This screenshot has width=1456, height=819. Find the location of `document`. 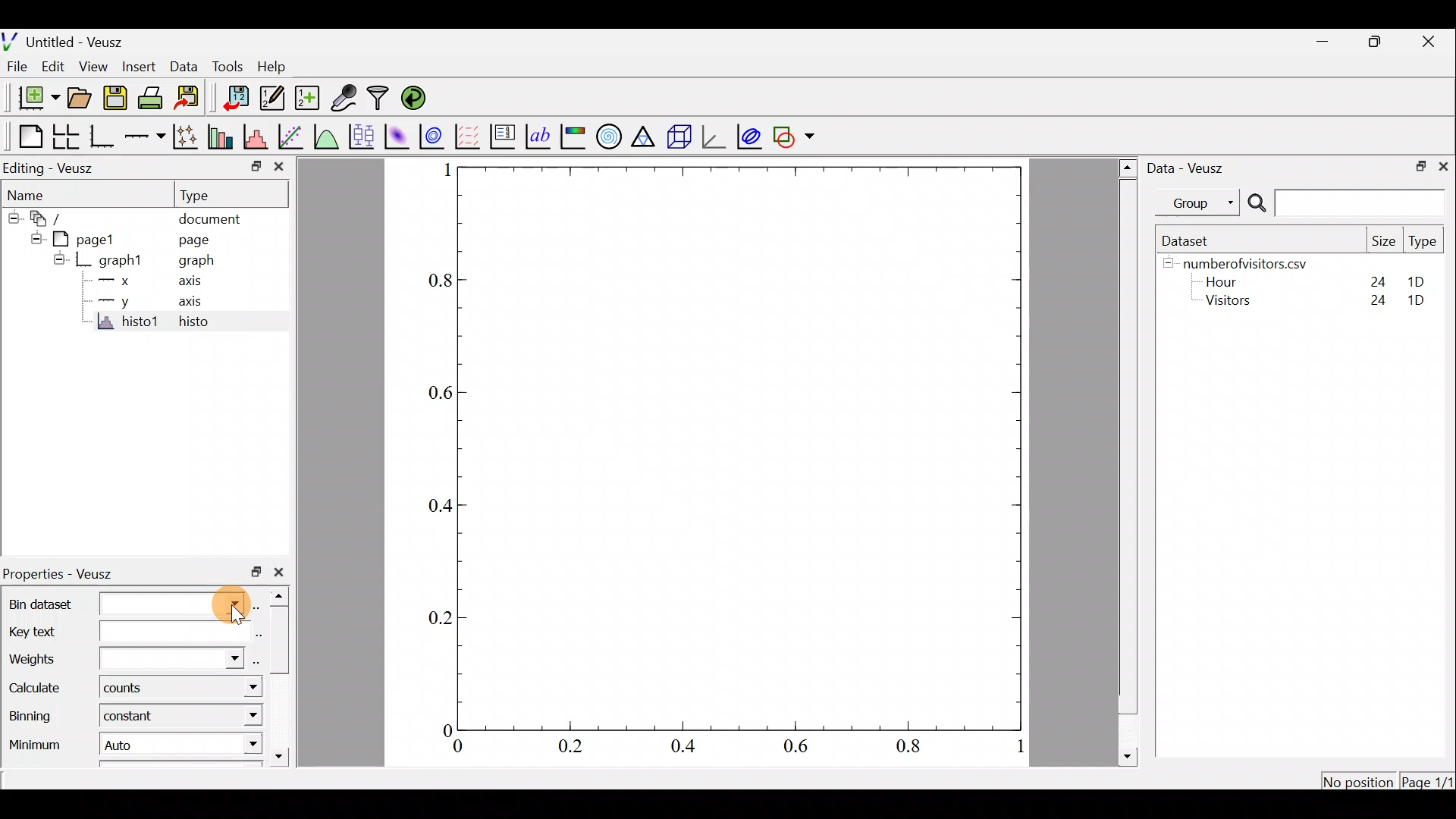

document is located at coordinates (214, 218).